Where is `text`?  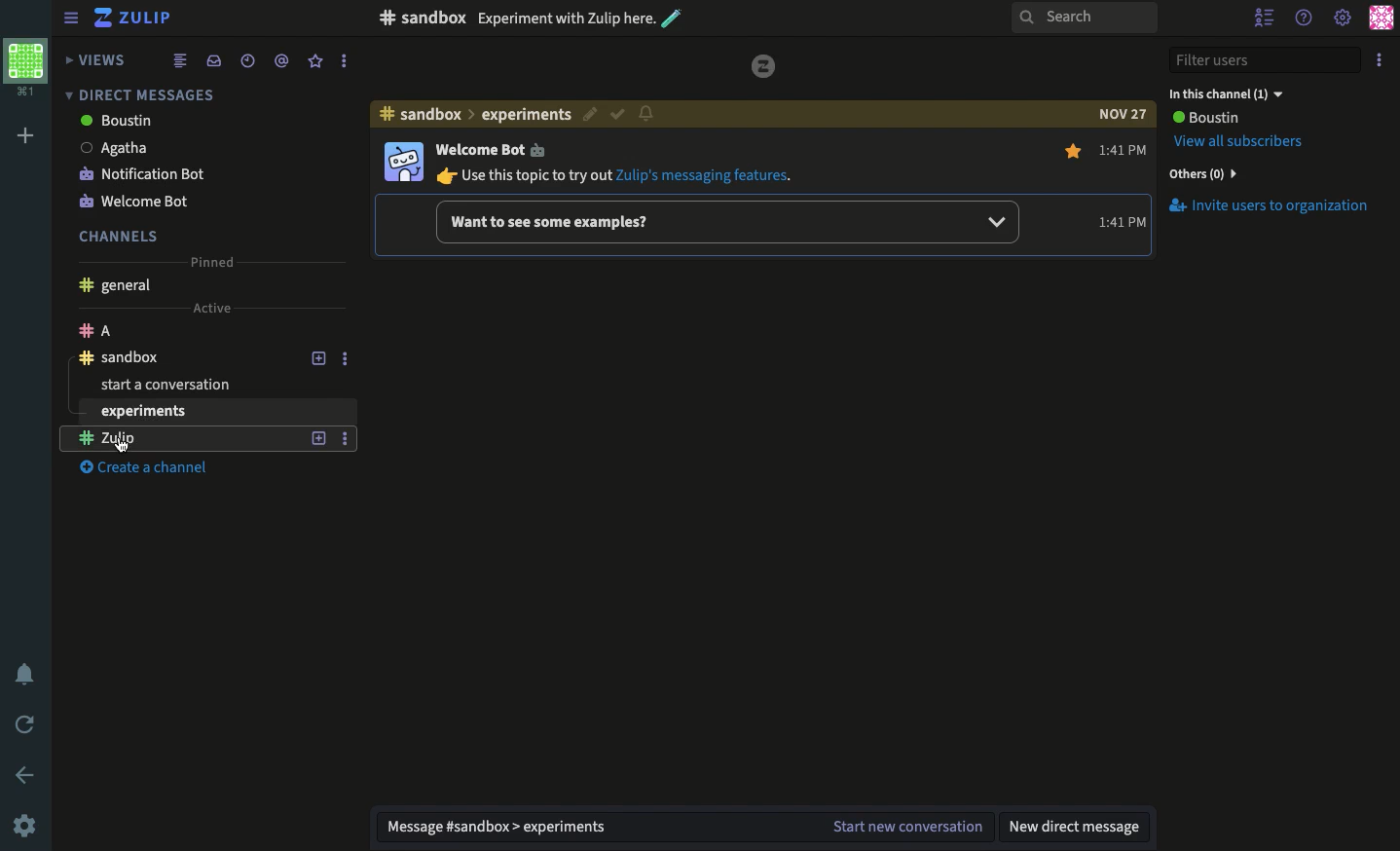 text is located at coordinates (524, 175).